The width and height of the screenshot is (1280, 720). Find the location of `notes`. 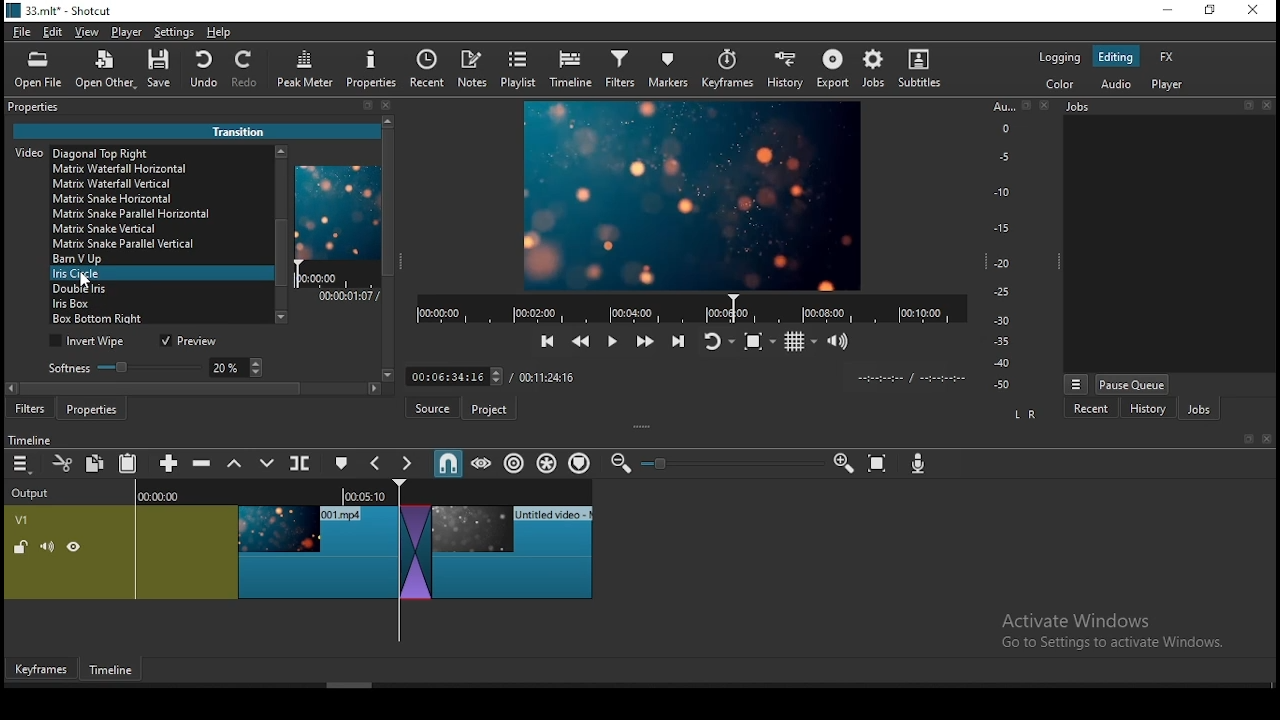

notes is located at coordinates (475, 69).